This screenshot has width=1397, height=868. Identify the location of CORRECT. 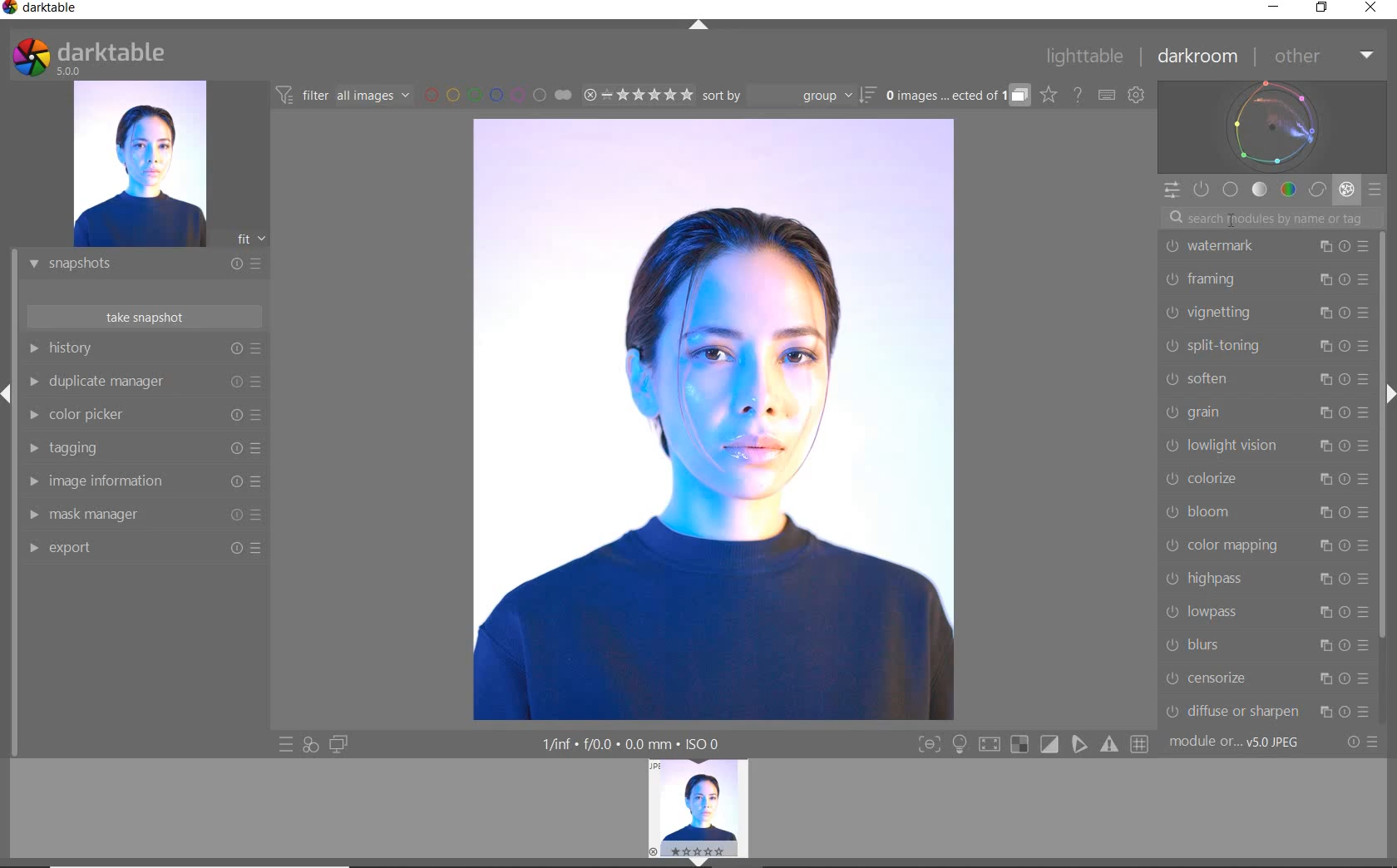
(1319, 191).